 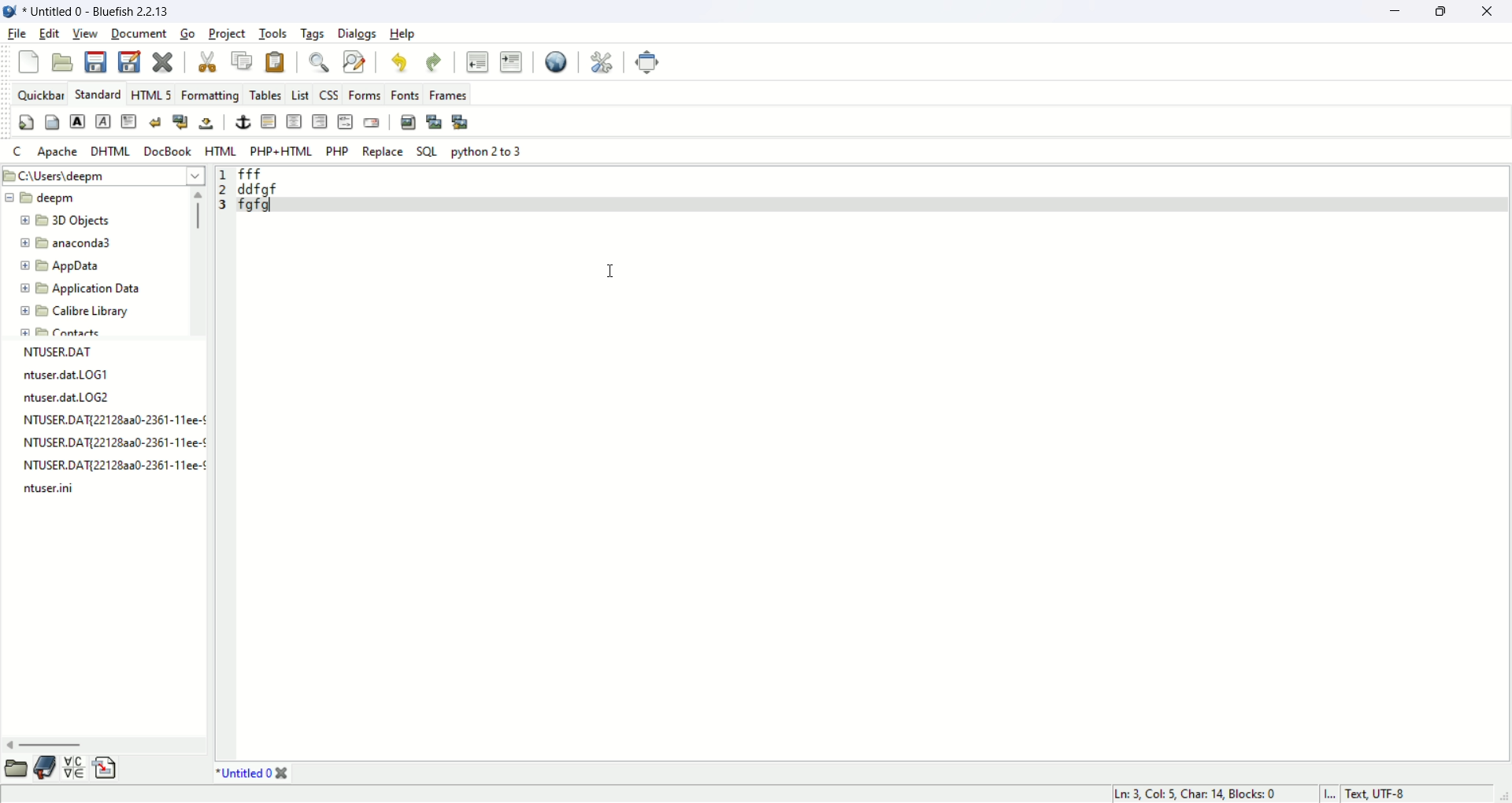 I want to click on document, so click(x=139, y=34).